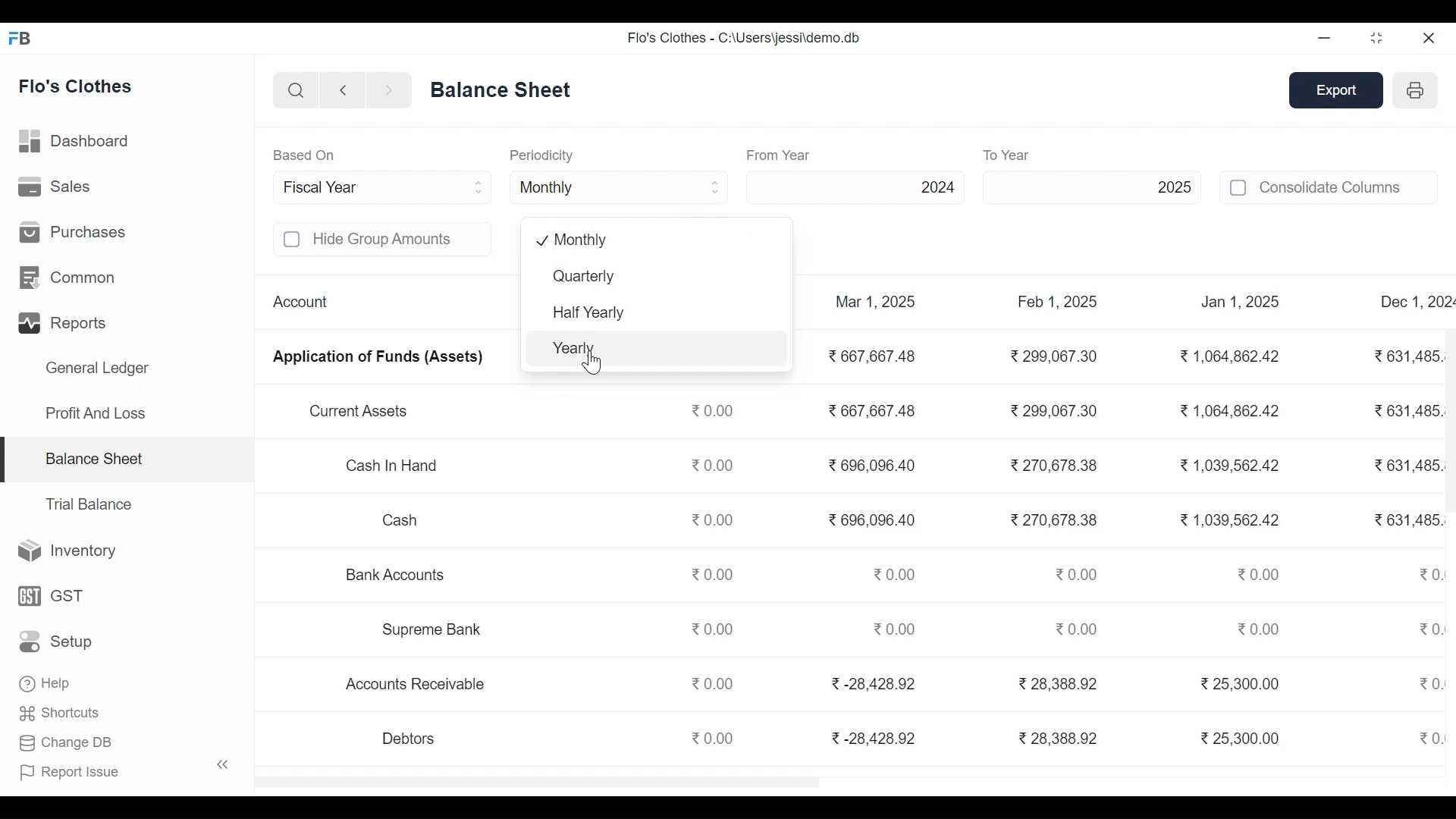  I want to click on forward, so click(389, 91).